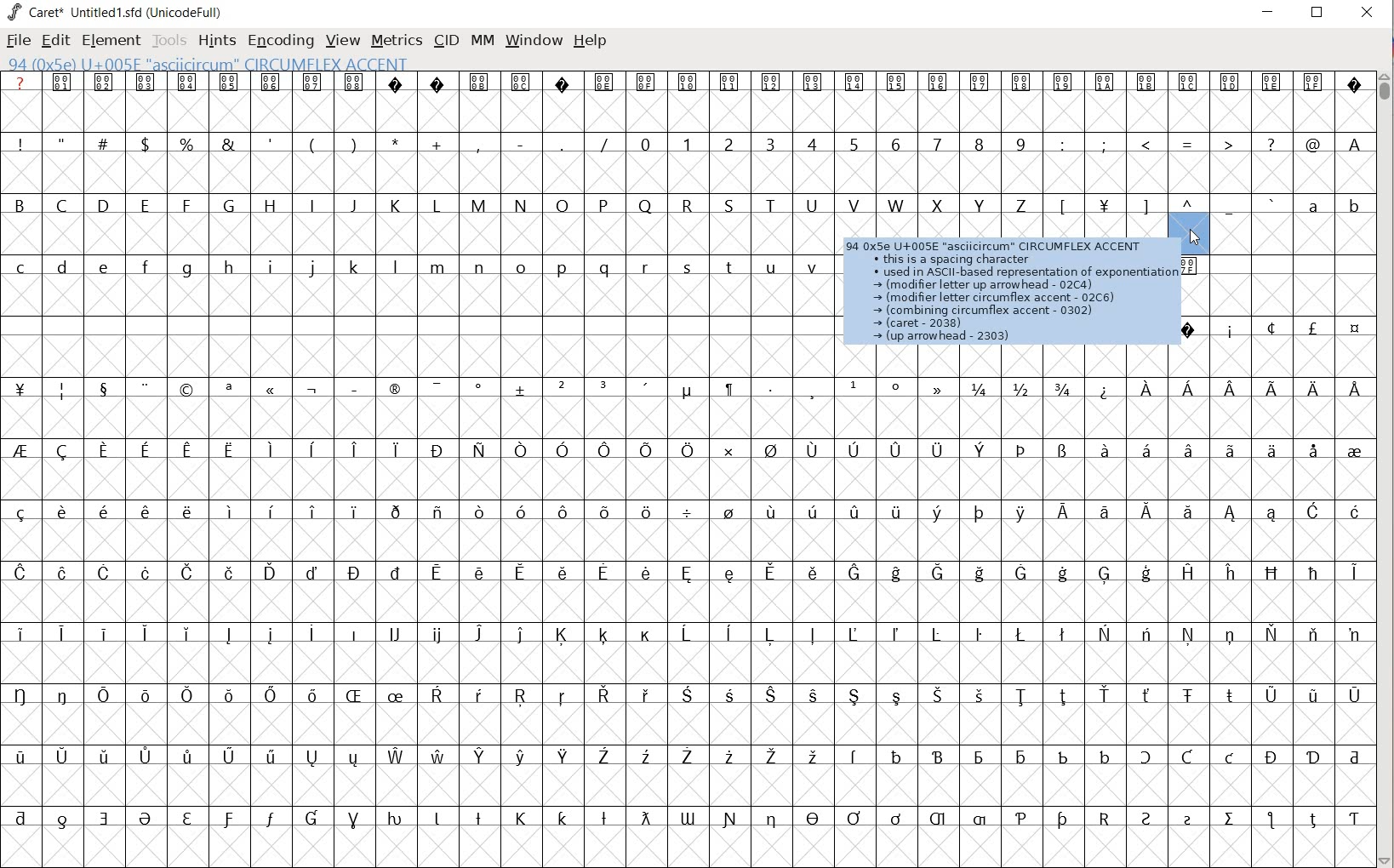  What do you see at coordinates (479, 40) in the screenshot?
I see `MM` at bounding box center [479, 40].